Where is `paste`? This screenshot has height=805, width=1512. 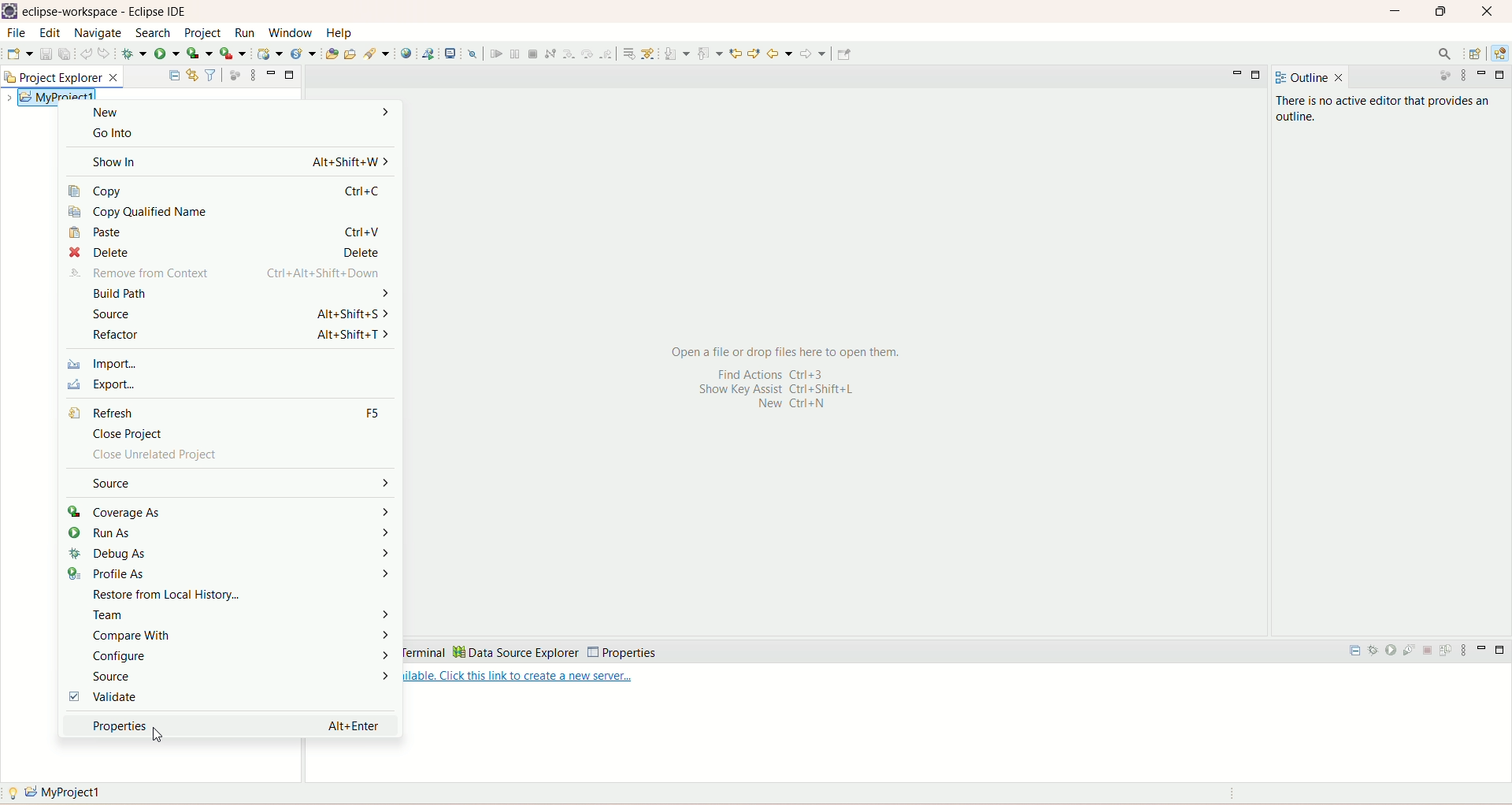 paste is located at coordinates (225, 234).